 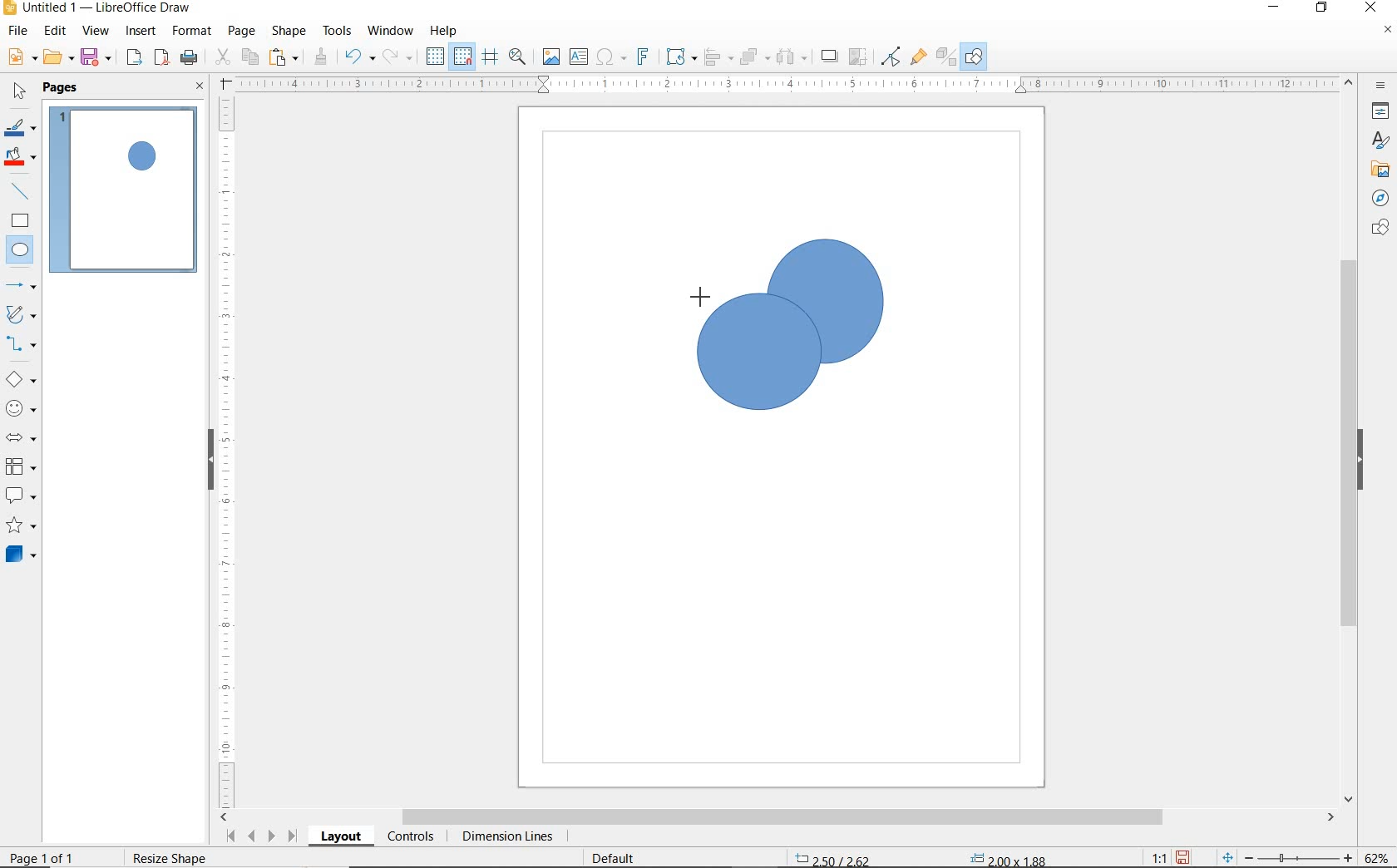 What do you see at coordinates (824, 300) in the screenshot?
I see `DRAWN CIRCLE` at bounding box center [824, 300].